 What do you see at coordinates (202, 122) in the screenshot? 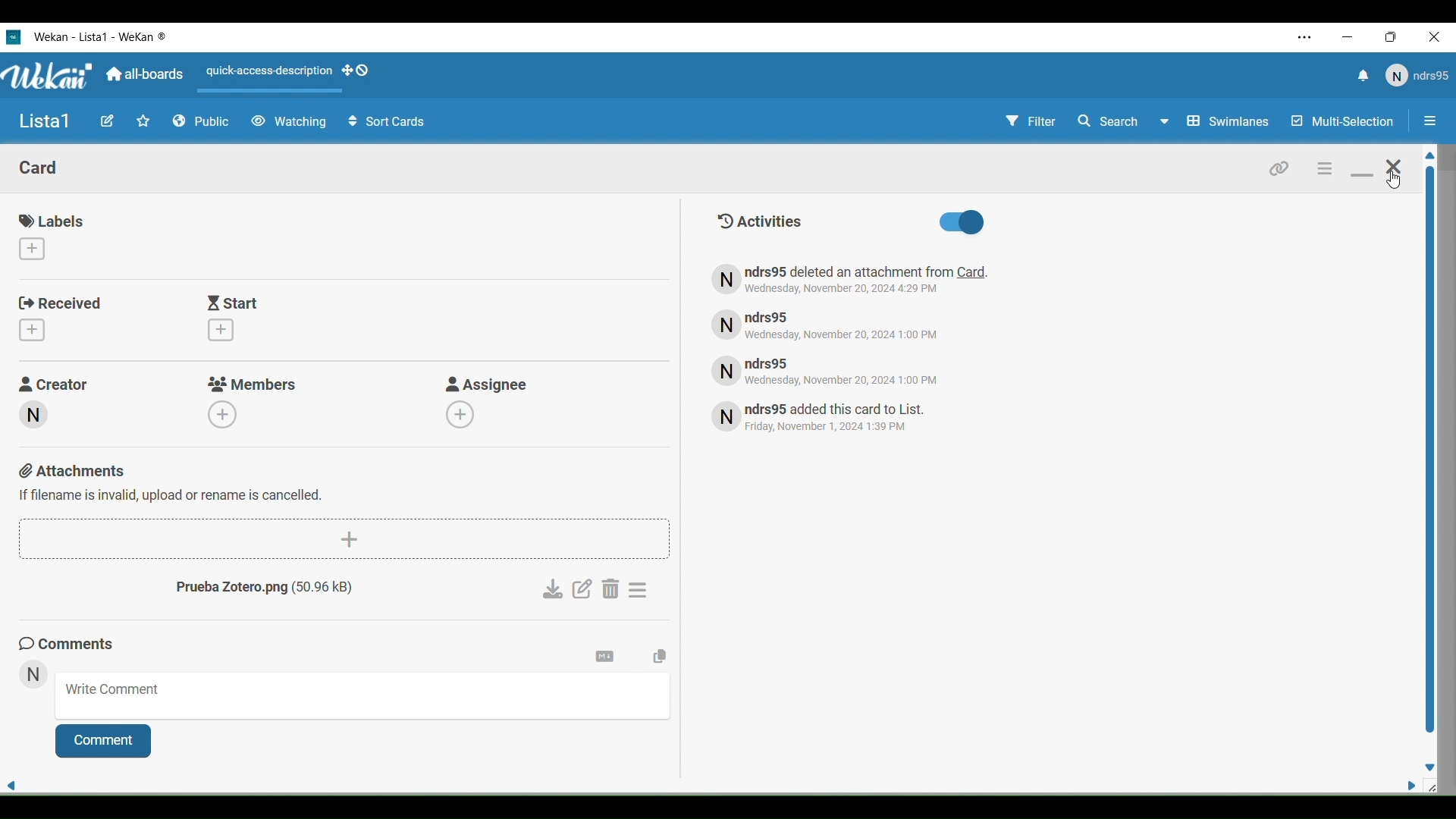
I see `Public` at bounding box center [202, 122].